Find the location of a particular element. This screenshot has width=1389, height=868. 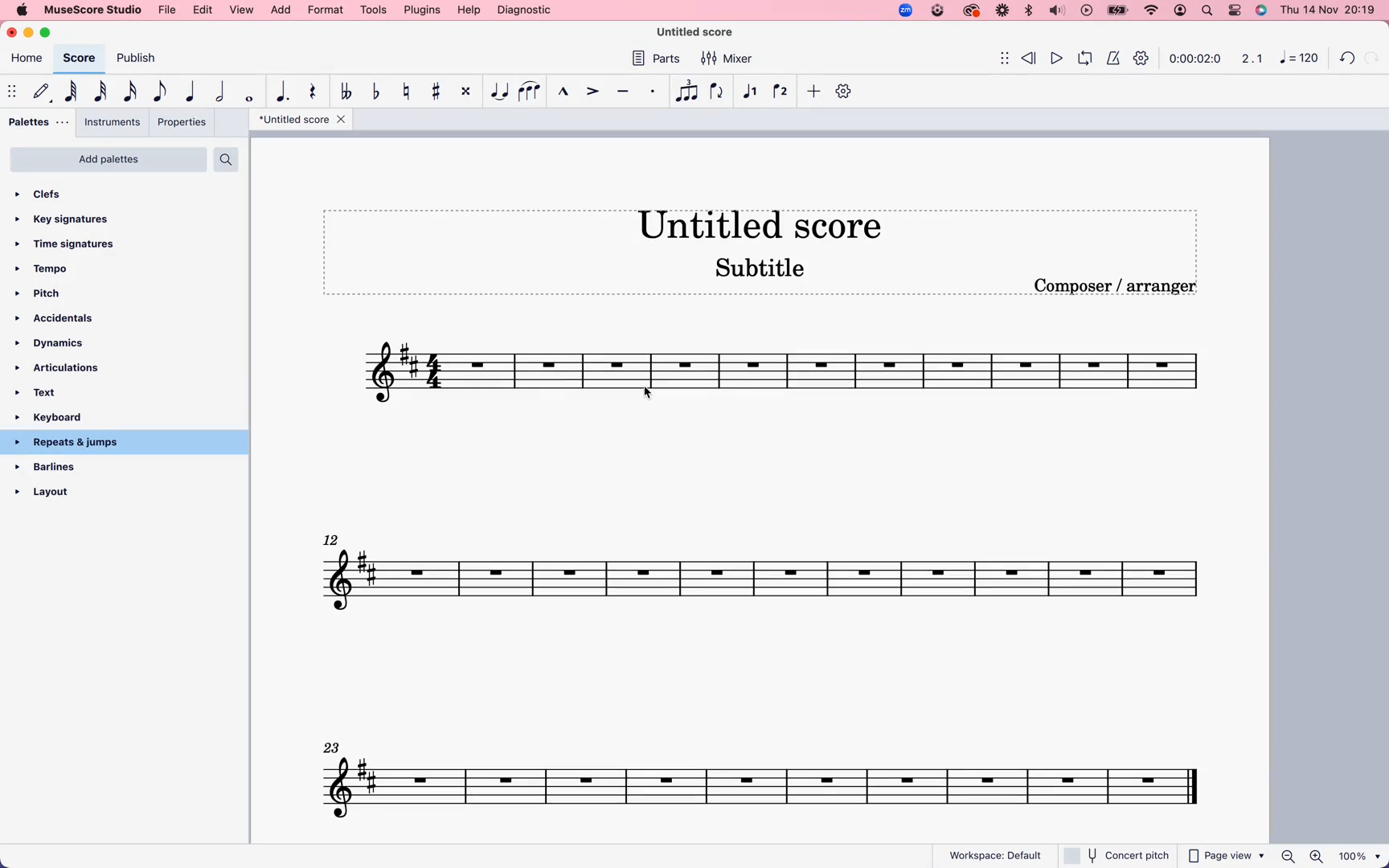

rest is located at coordinates (314, 93).